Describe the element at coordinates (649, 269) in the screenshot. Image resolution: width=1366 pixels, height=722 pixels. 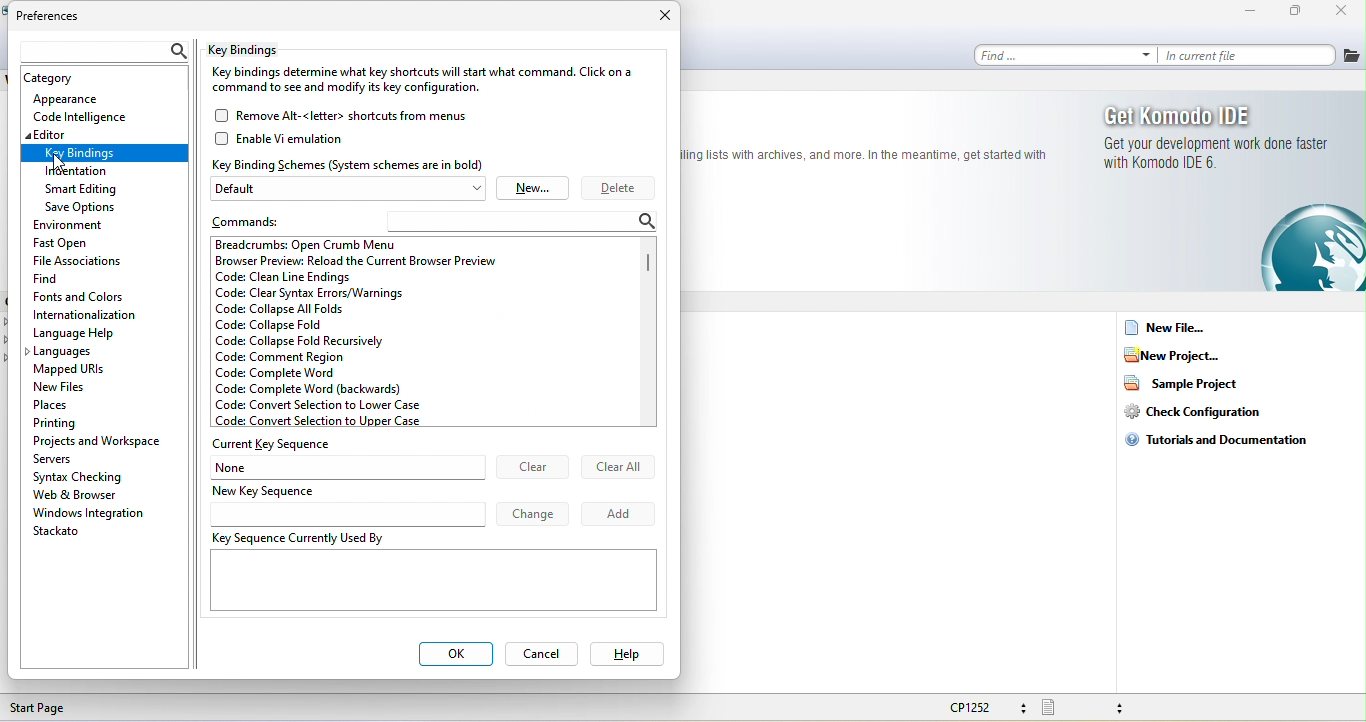
I see `vertical scroll bar` at that location.